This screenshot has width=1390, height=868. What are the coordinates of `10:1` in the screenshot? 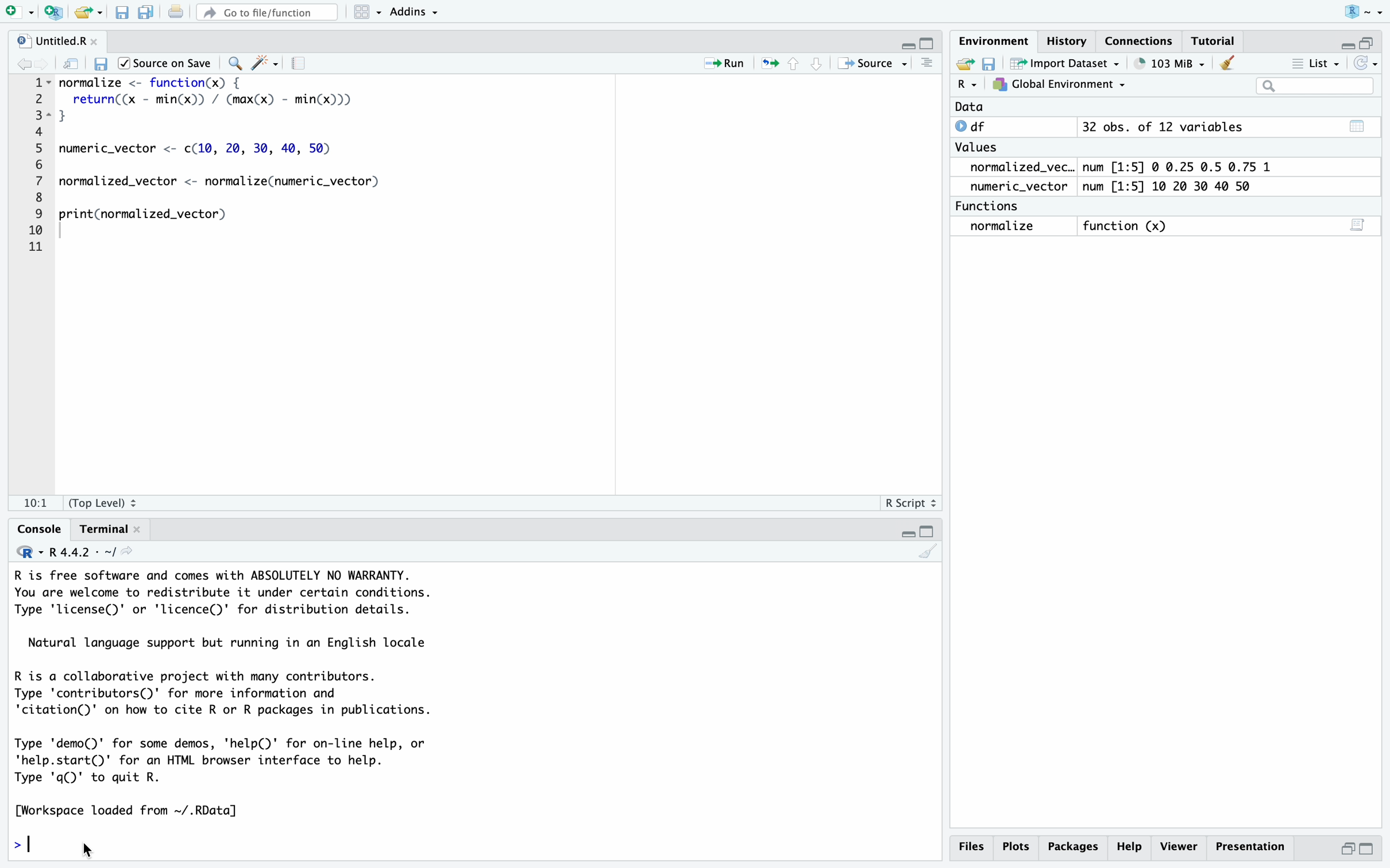 It's located at (35, 499).